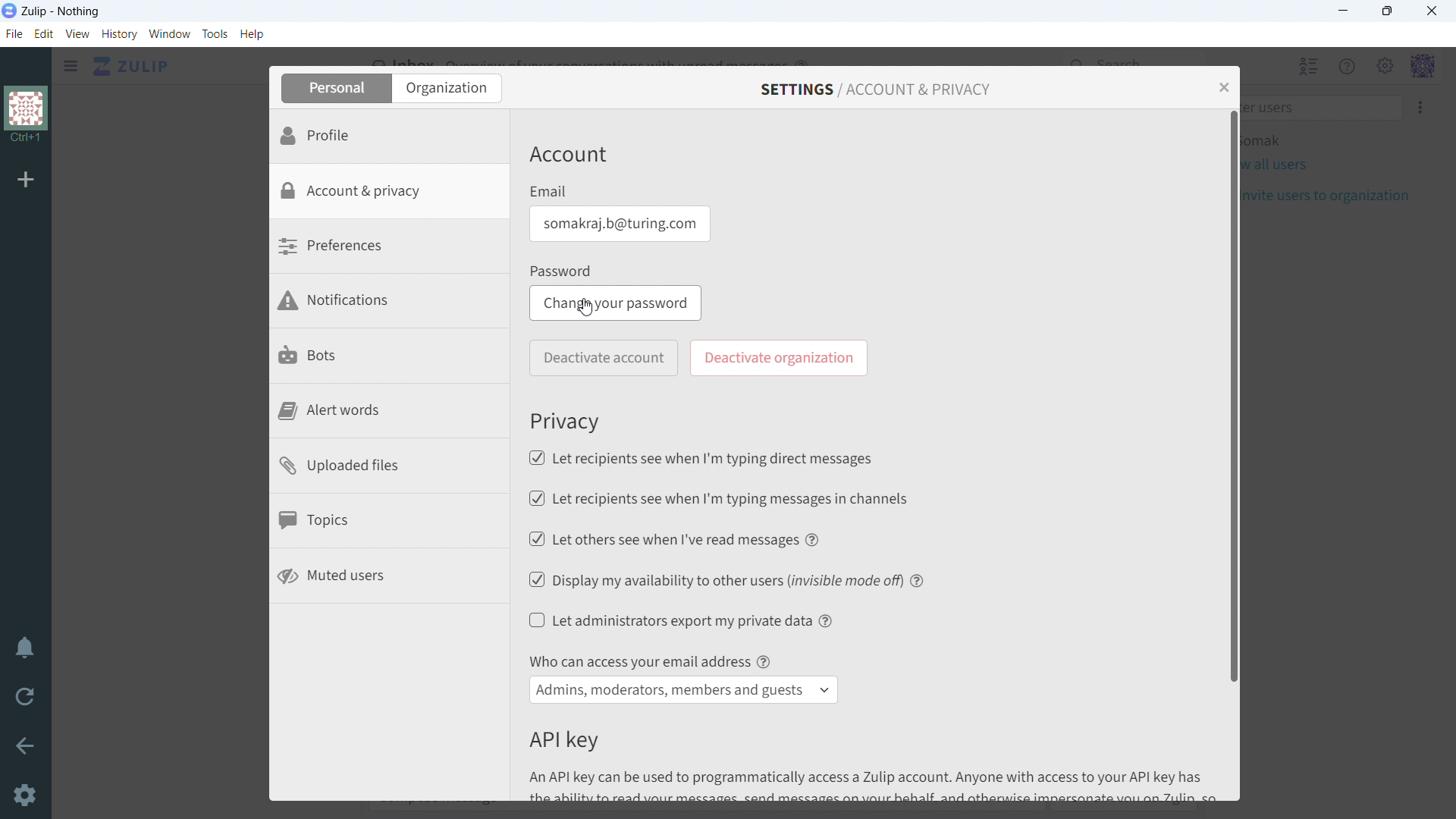 The height and width of the screenshot is (819, 1456). What do you see at coordinates (604, 359) in the screenshot?
I see `deactivate account` at bounding box center [604, 359].